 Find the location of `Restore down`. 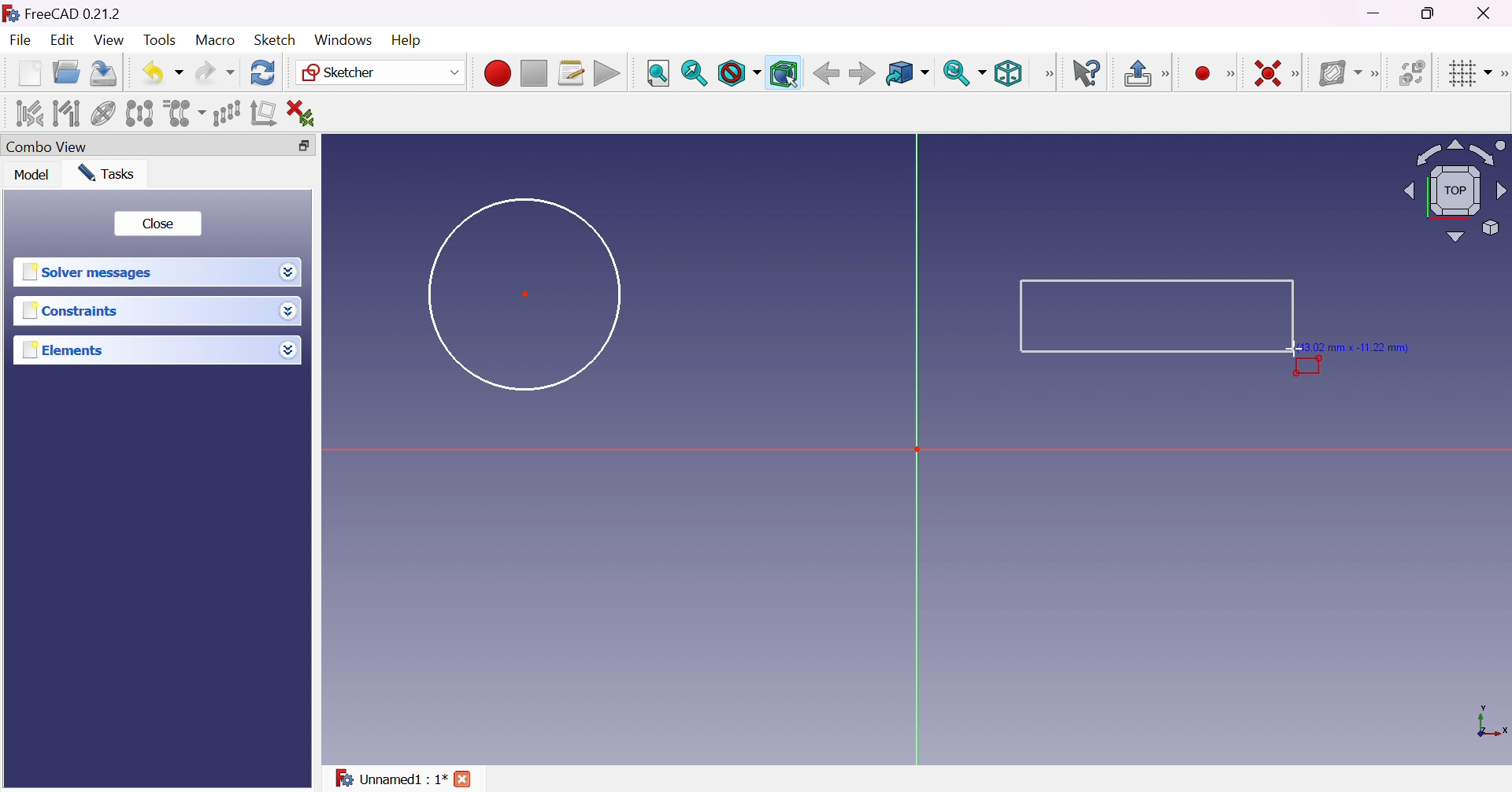

Restore down is located at coordinates (1430, 13).